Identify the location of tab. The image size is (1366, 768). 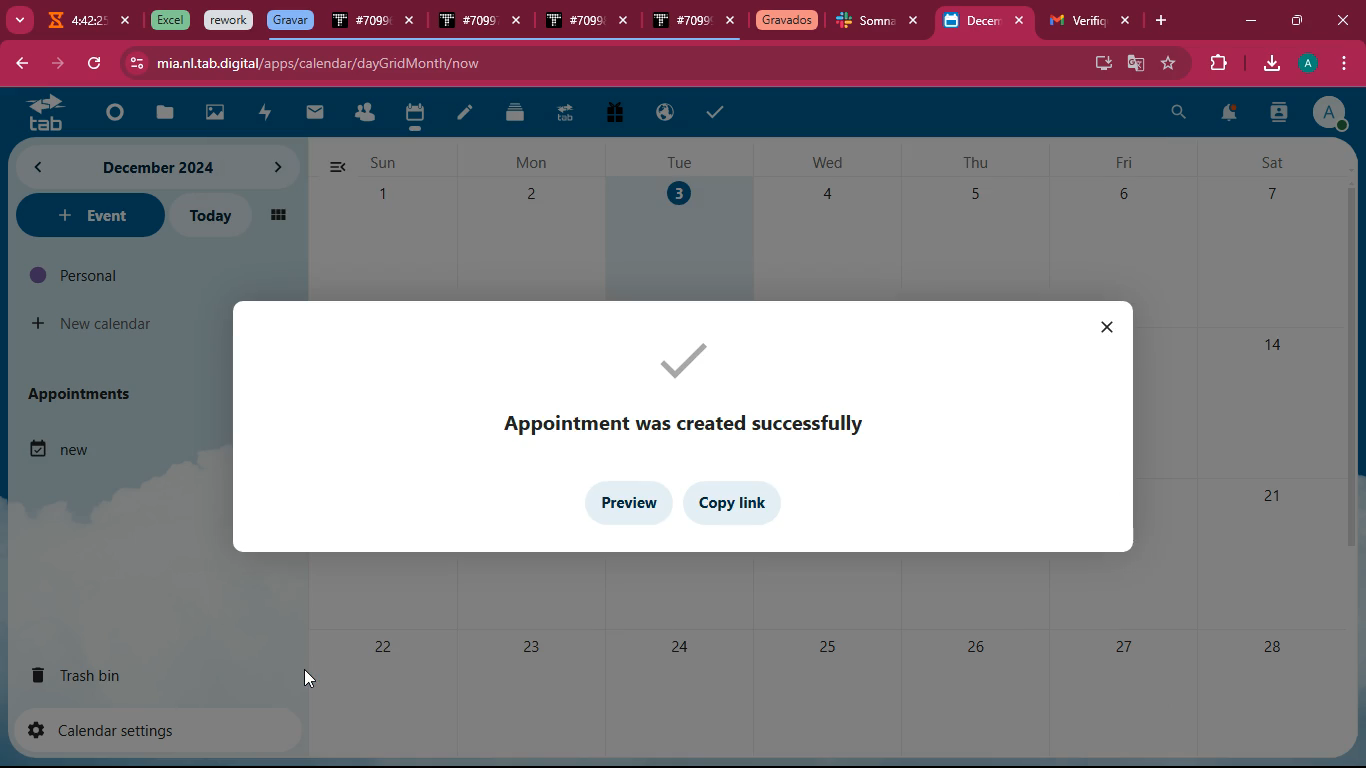
(564, 116).